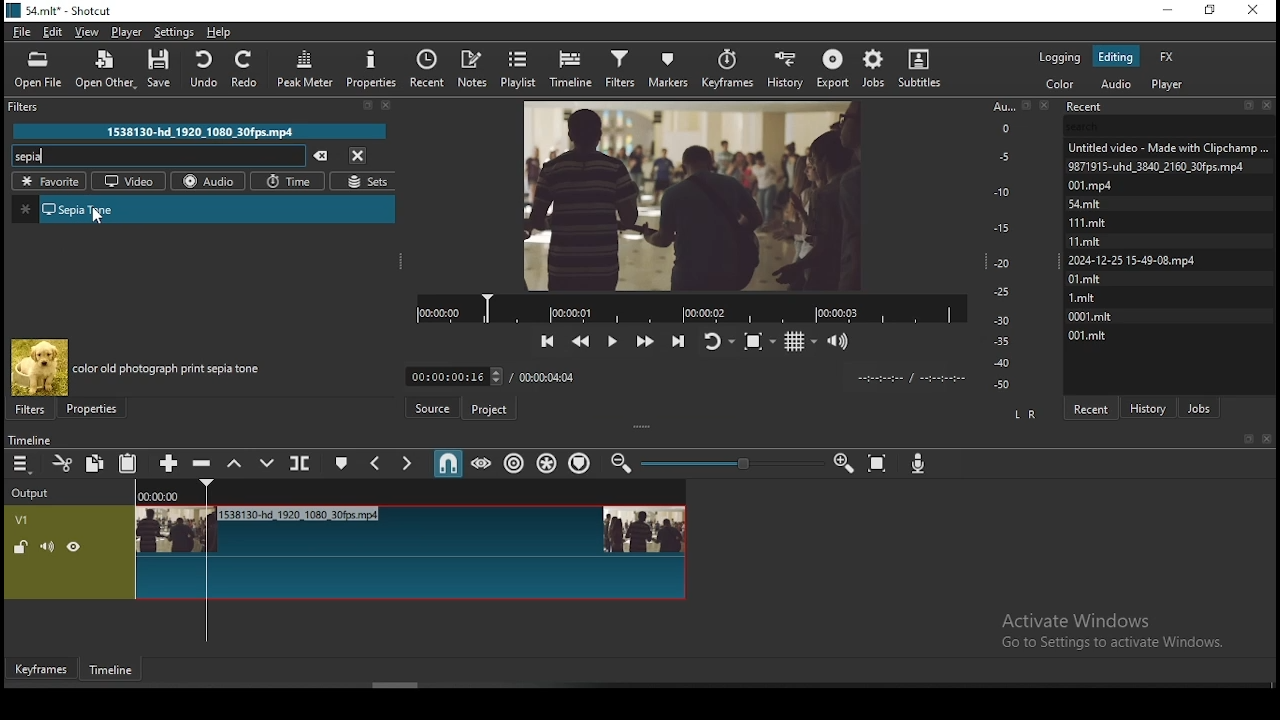 The width and height of the screenshot is (1280, 720). Describe the element at coordinates (546, 340) in the screenshot. I see `skip to the previous point` at that location.